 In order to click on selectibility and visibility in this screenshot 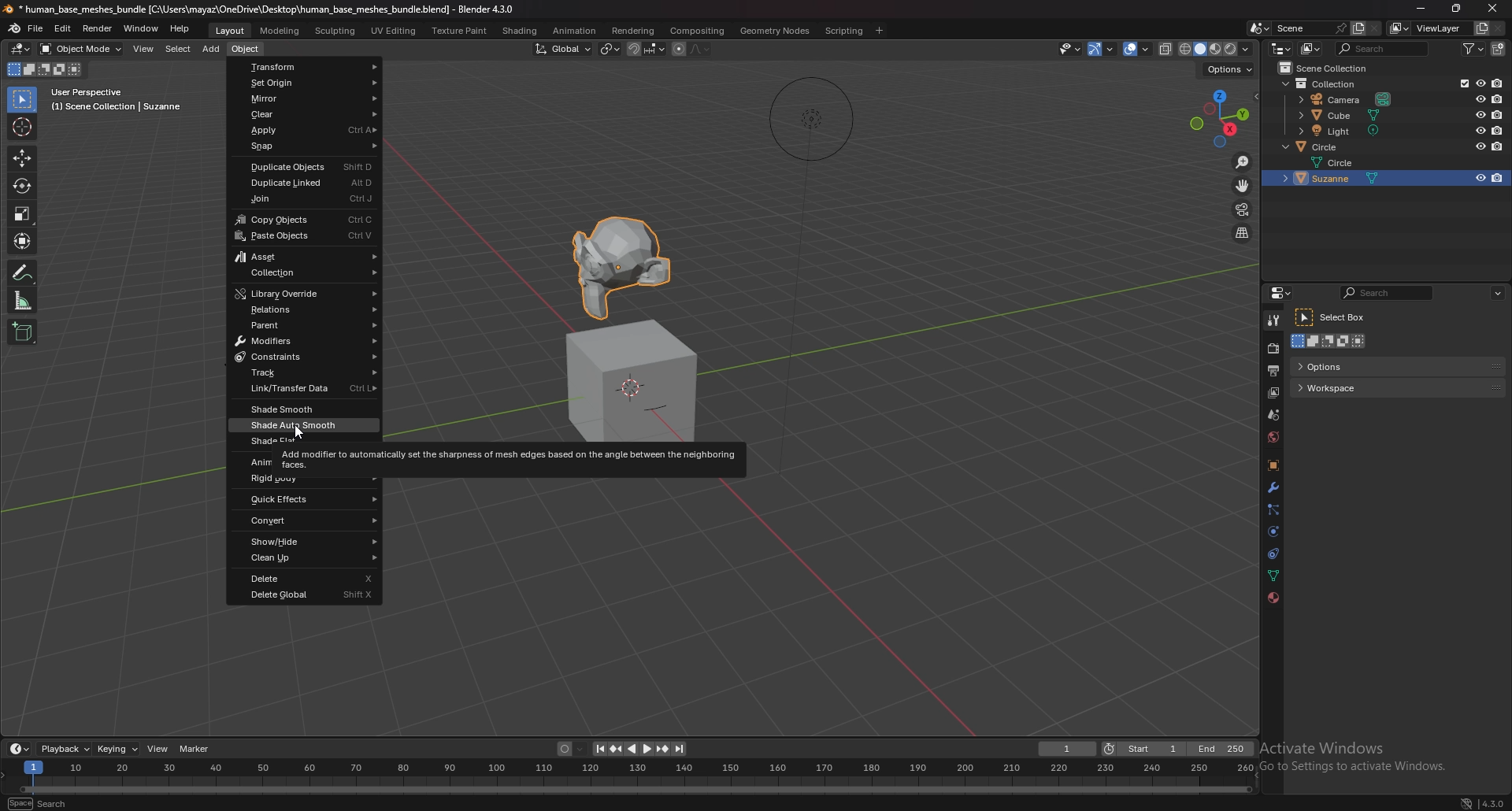, I will do `click(1071, 48)`.